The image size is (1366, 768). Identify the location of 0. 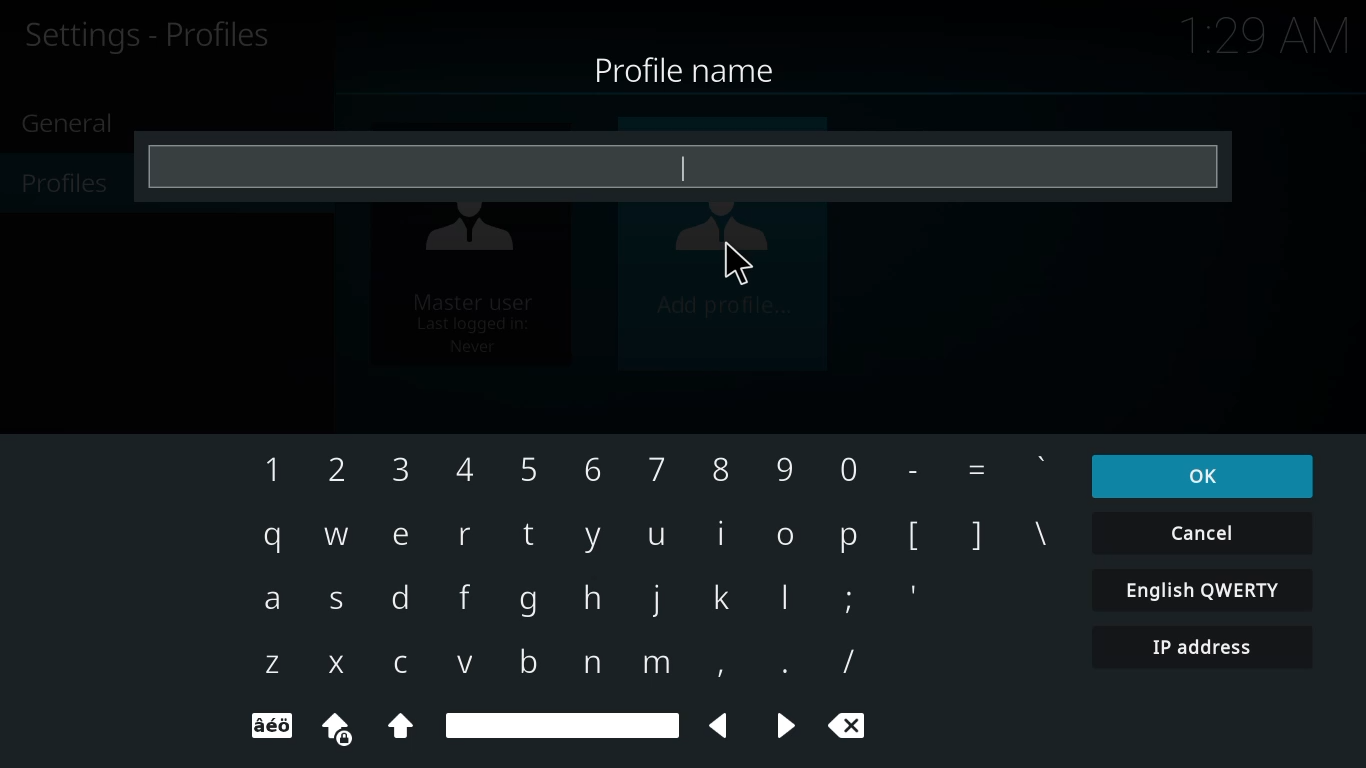
(850, 469).